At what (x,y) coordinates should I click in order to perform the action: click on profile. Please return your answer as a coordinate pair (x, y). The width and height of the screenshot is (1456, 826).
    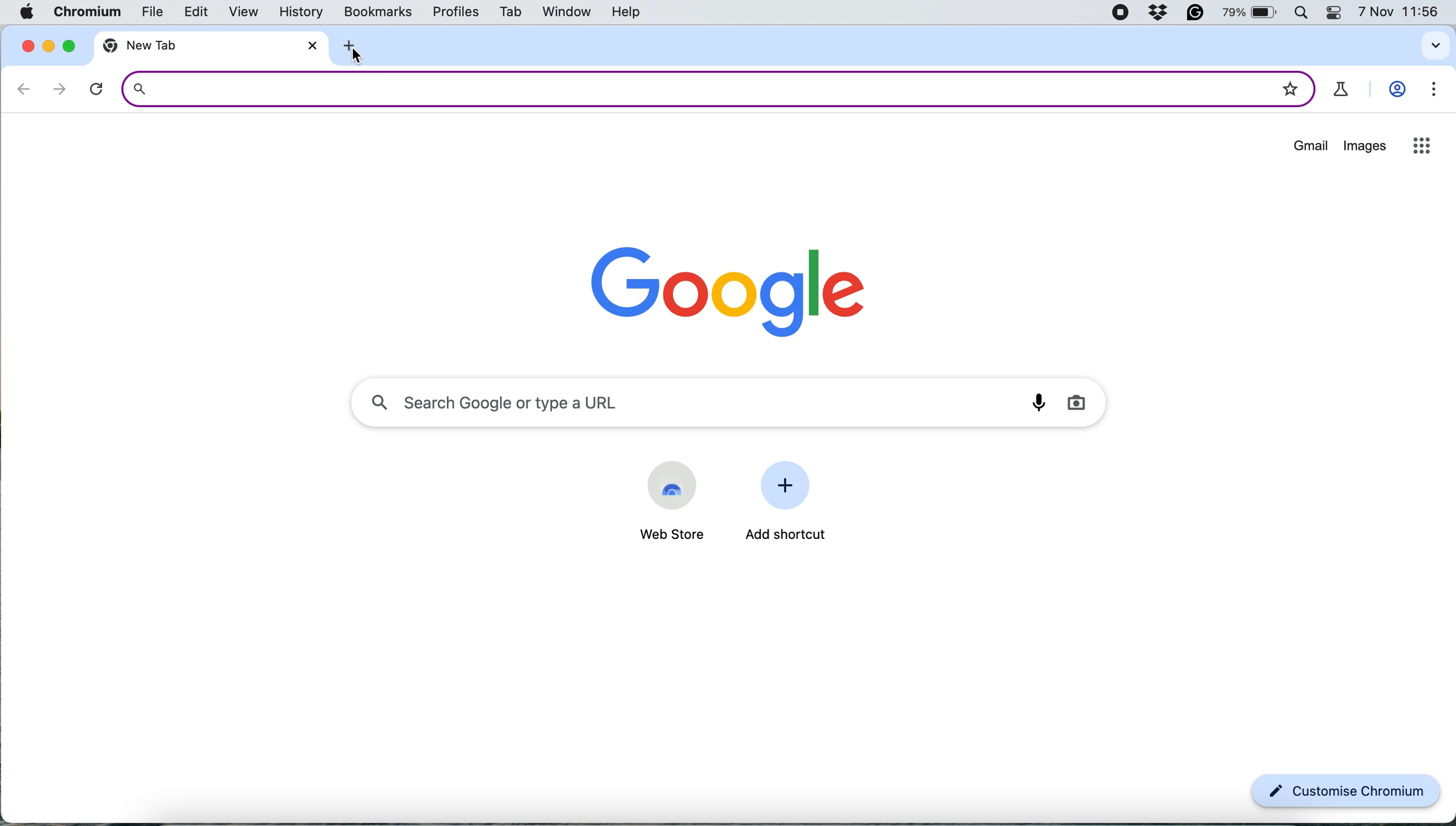
    Looking at the image, I should click on (1396, 91).